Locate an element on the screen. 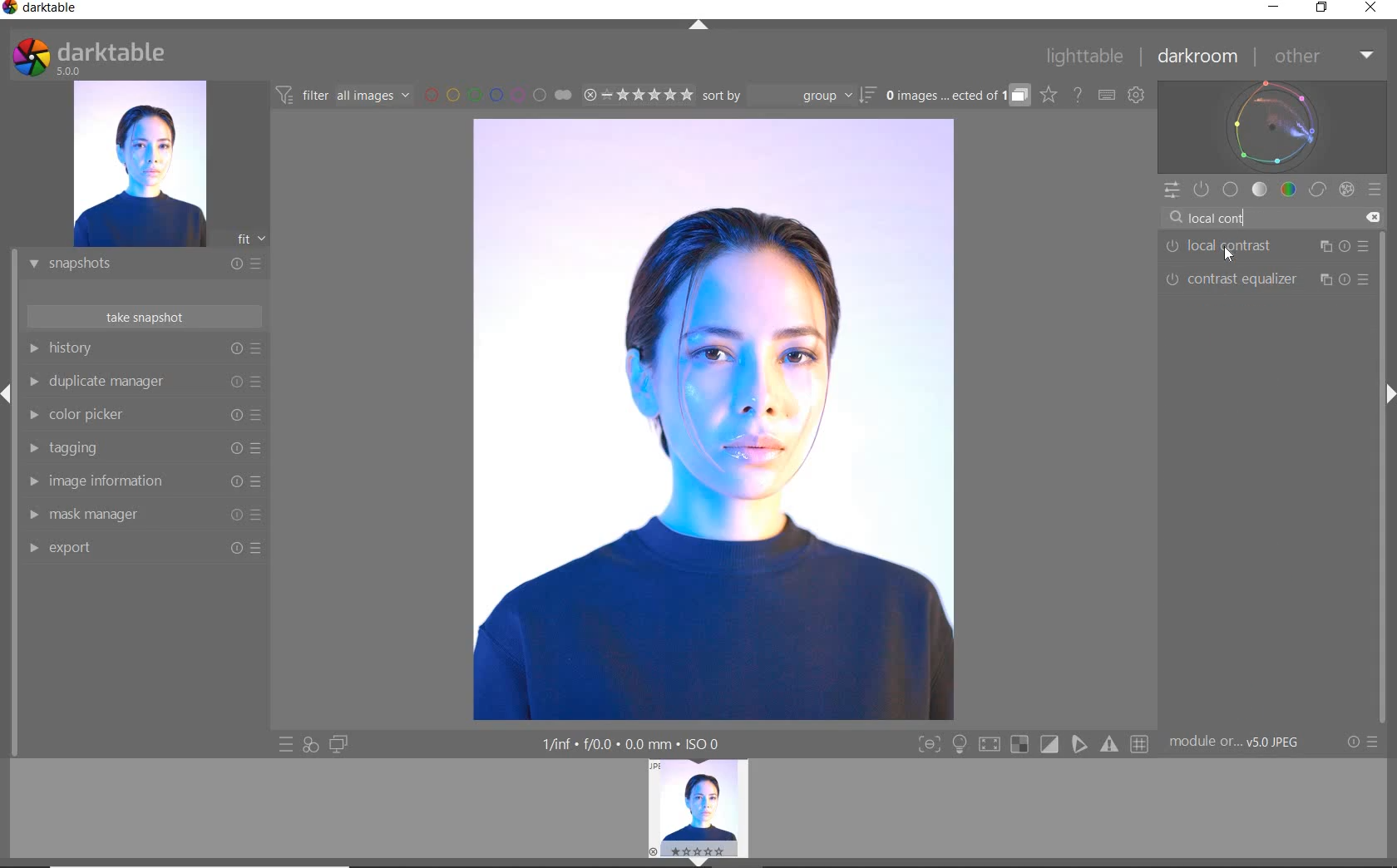 Image resolution: width=1397 pixels, height=868 pixels. SYSTEM LOGO is located at coordinates (88, 57).